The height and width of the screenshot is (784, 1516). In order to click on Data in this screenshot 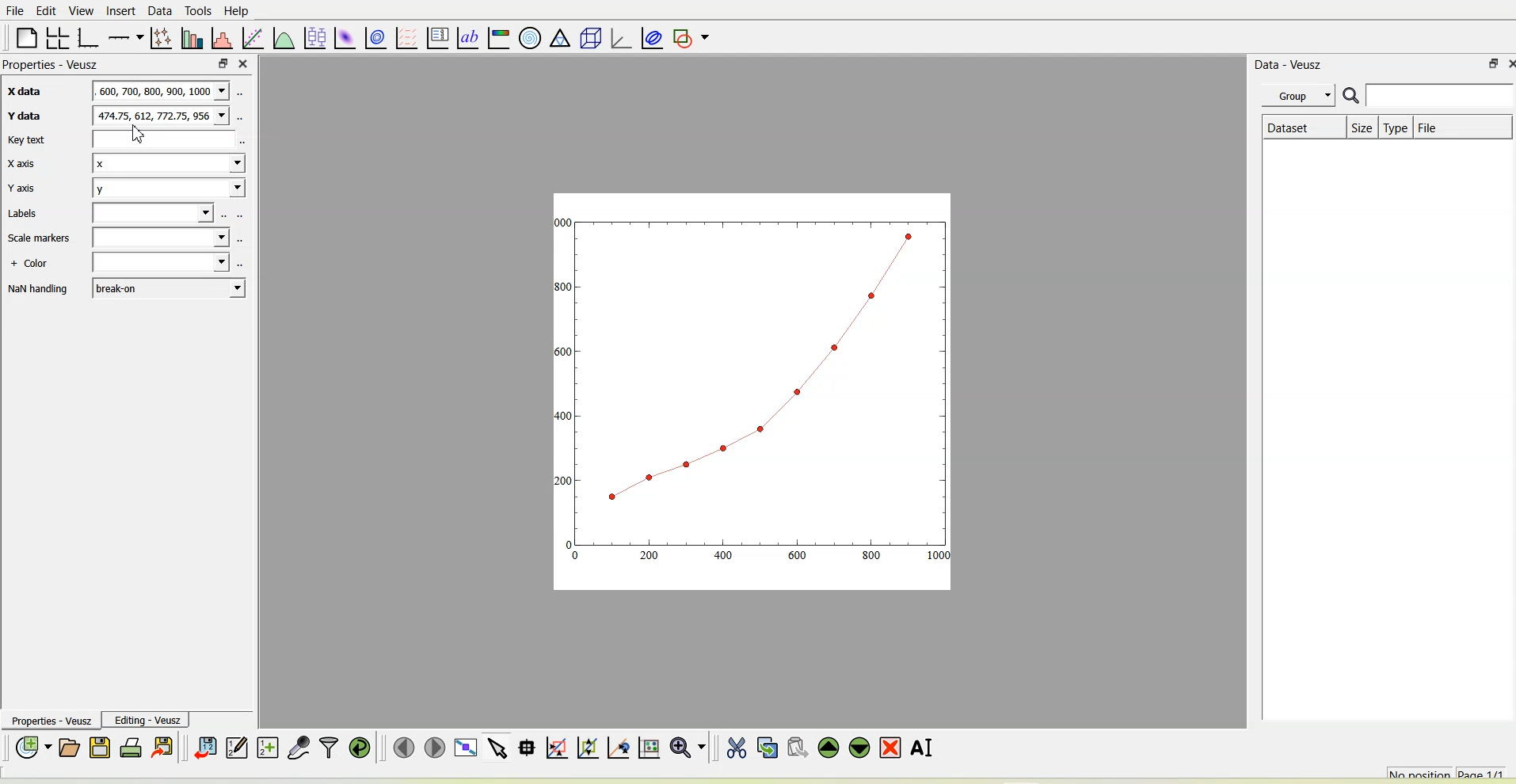, I will do `click(158, 10)`.